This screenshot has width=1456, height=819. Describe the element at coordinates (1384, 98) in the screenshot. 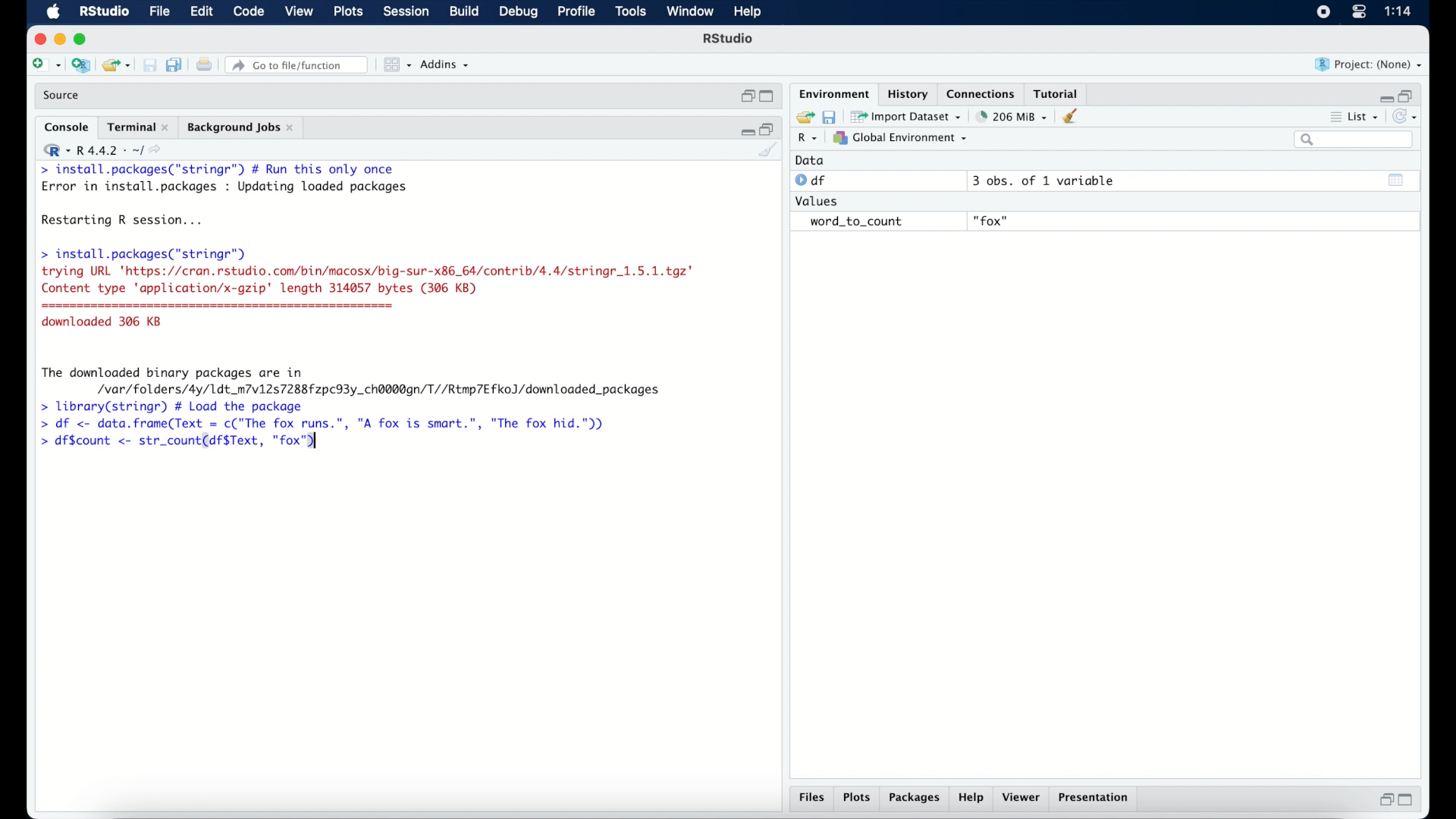

I see `minimize` at that location.